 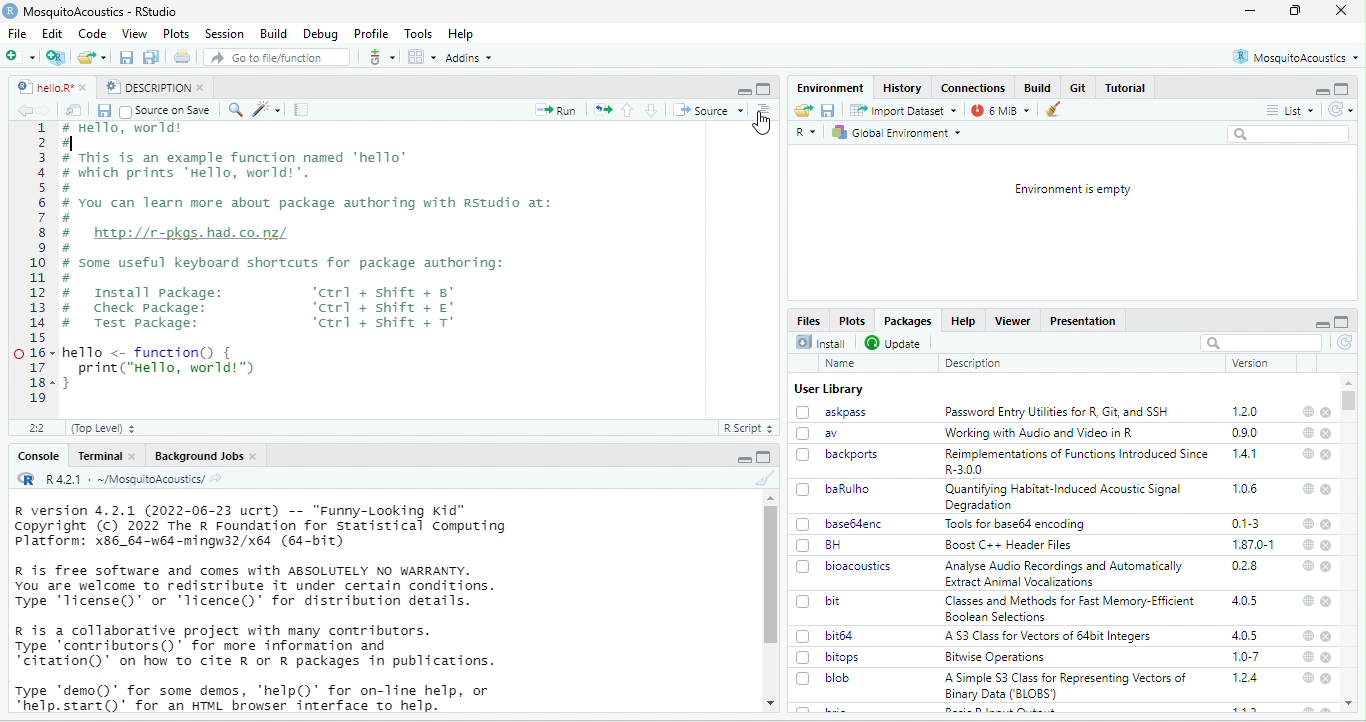 I want to click on help, so click(x=1306, y=523).